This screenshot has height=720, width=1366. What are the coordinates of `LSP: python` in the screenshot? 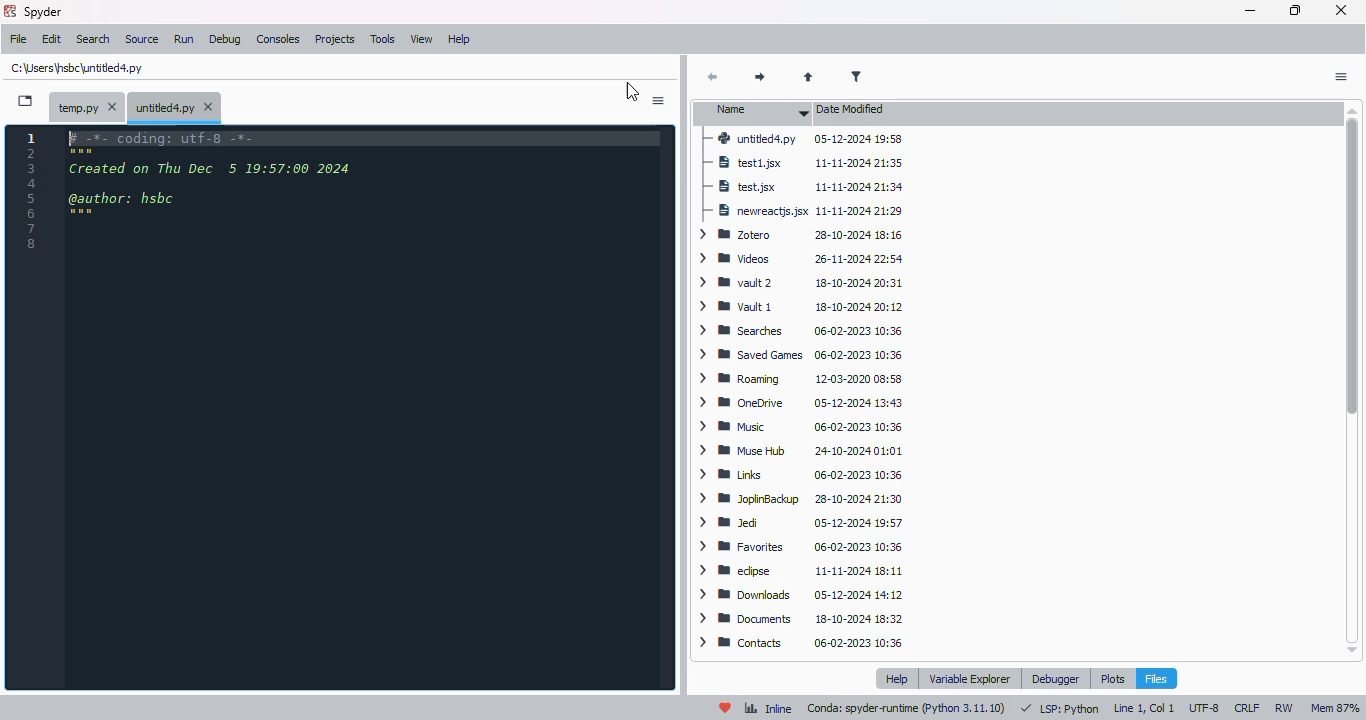 It's located at (1060, 709).